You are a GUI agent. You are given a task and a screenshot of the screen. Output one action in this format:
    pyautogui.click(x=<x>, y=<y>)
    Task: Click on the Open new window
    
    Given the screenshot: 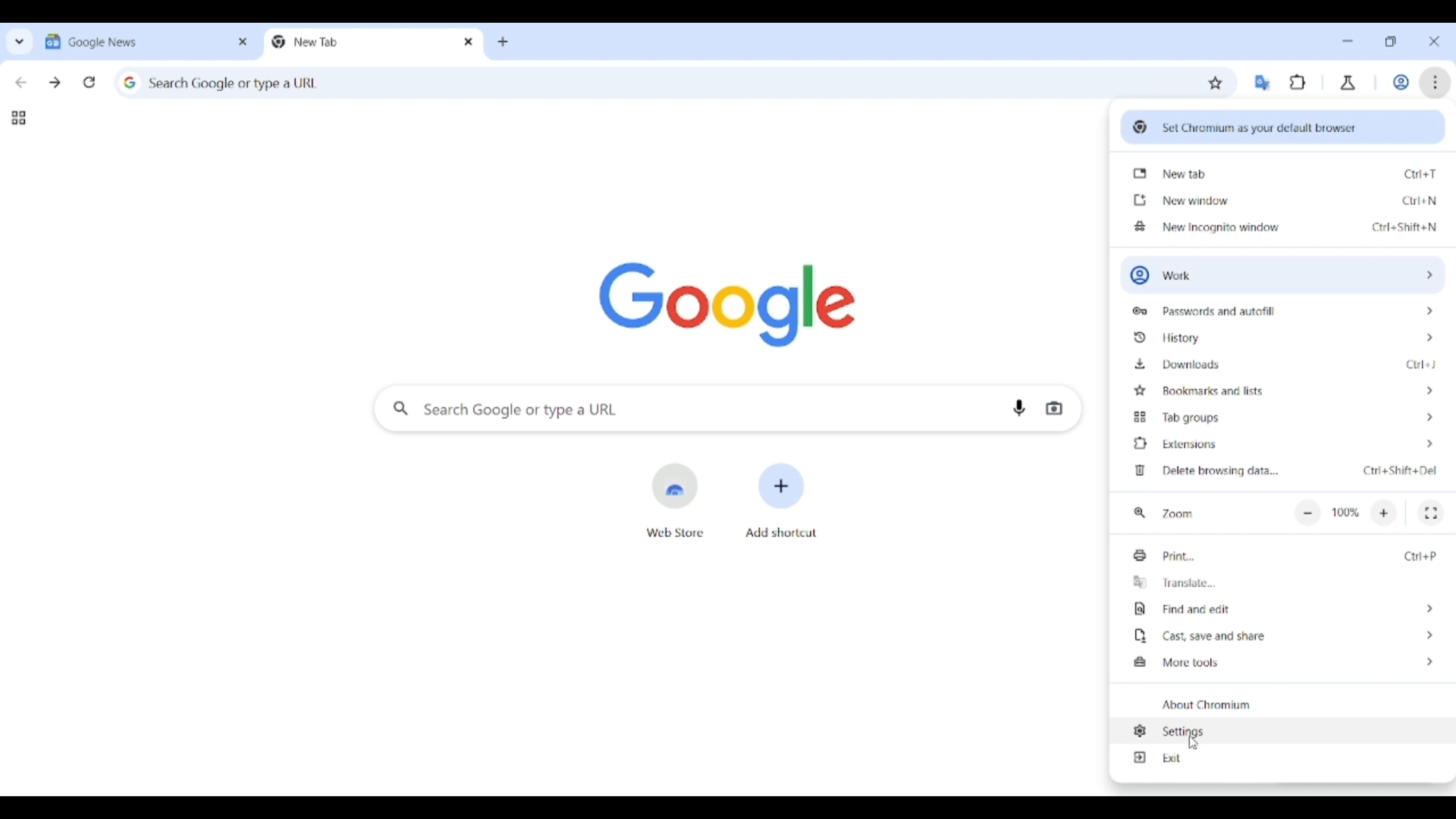 What is the action you would take?
    pyautogui.click(x=1281, y=199)
    